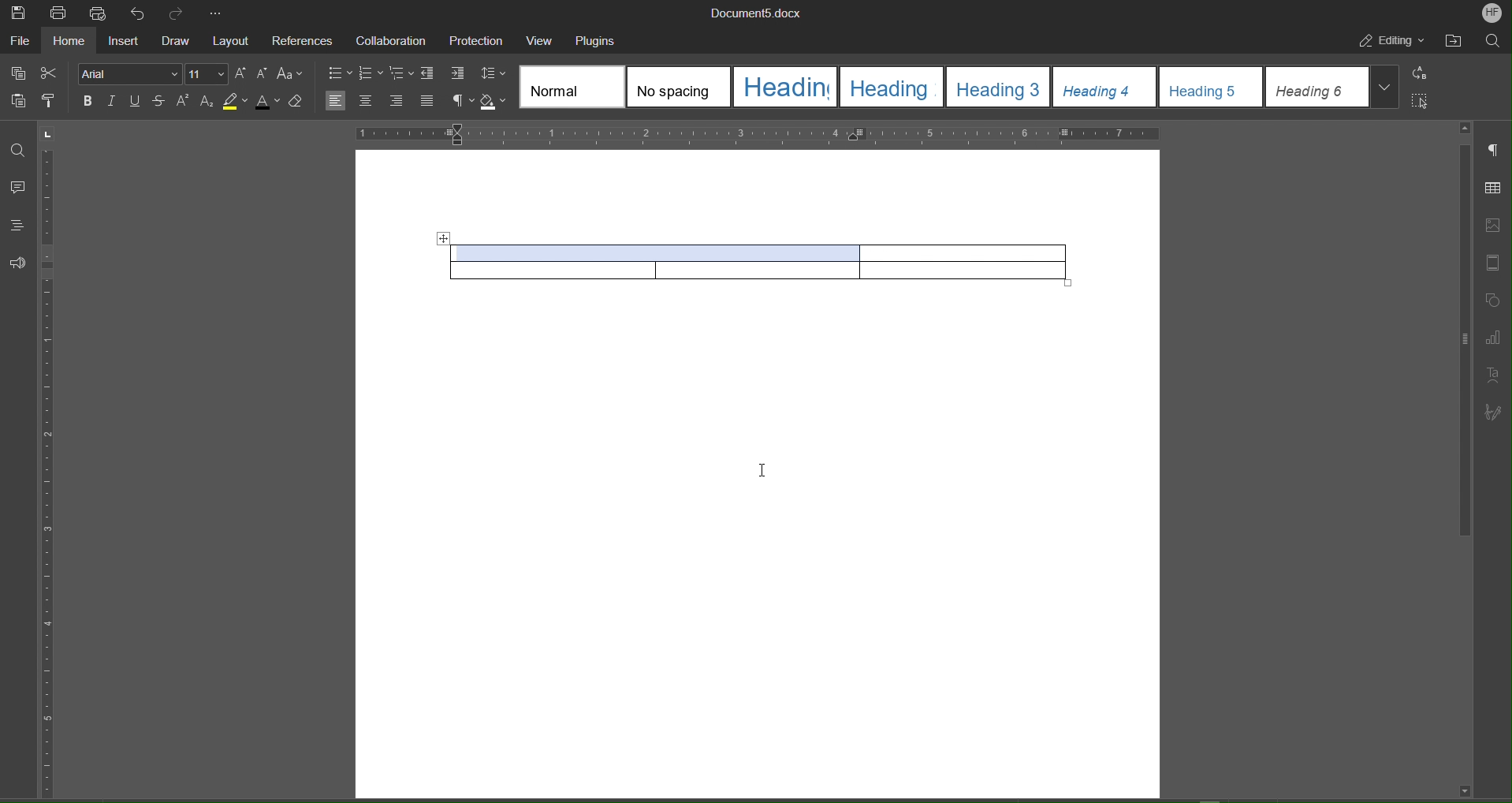 The width and height of the screenshot is (1512, 803). I want to click on Highlight, so click(236, 101).